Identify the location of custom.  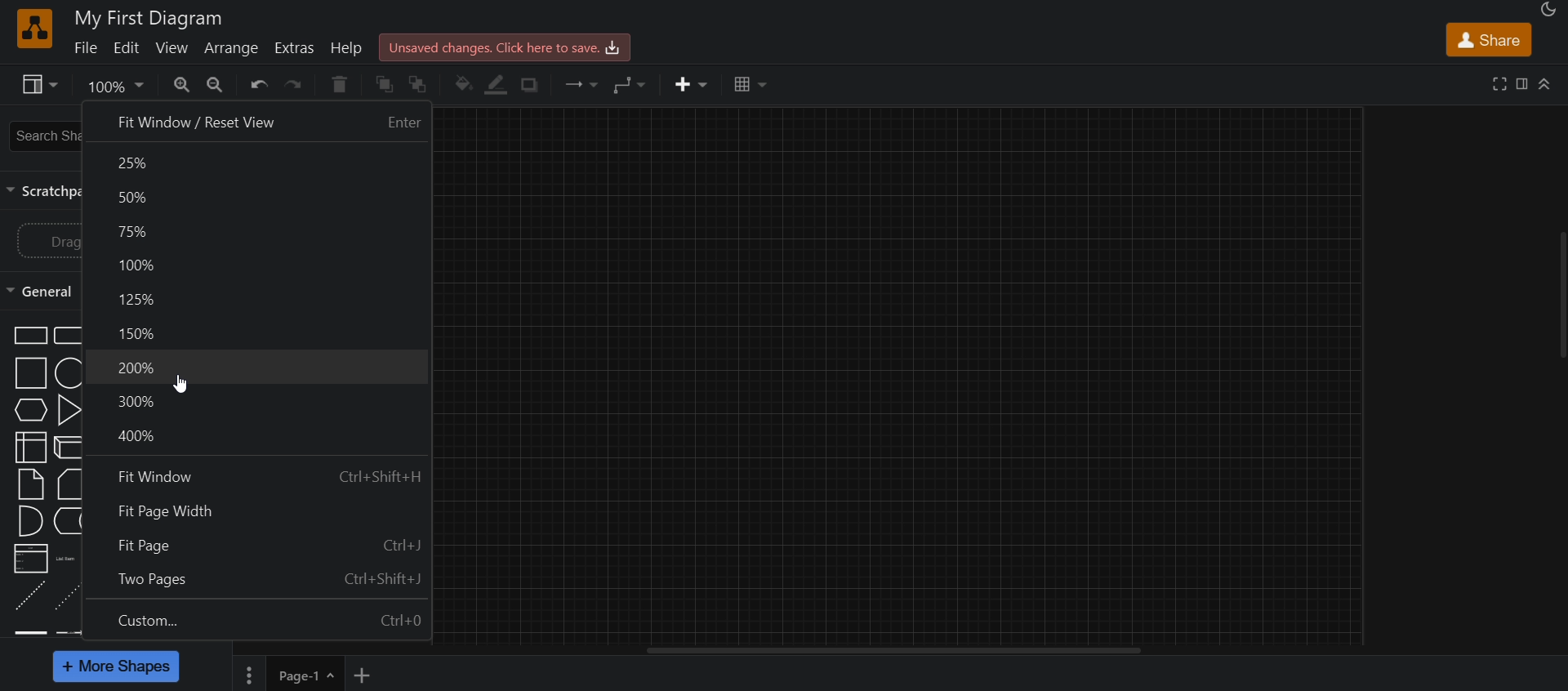
(275, 626).